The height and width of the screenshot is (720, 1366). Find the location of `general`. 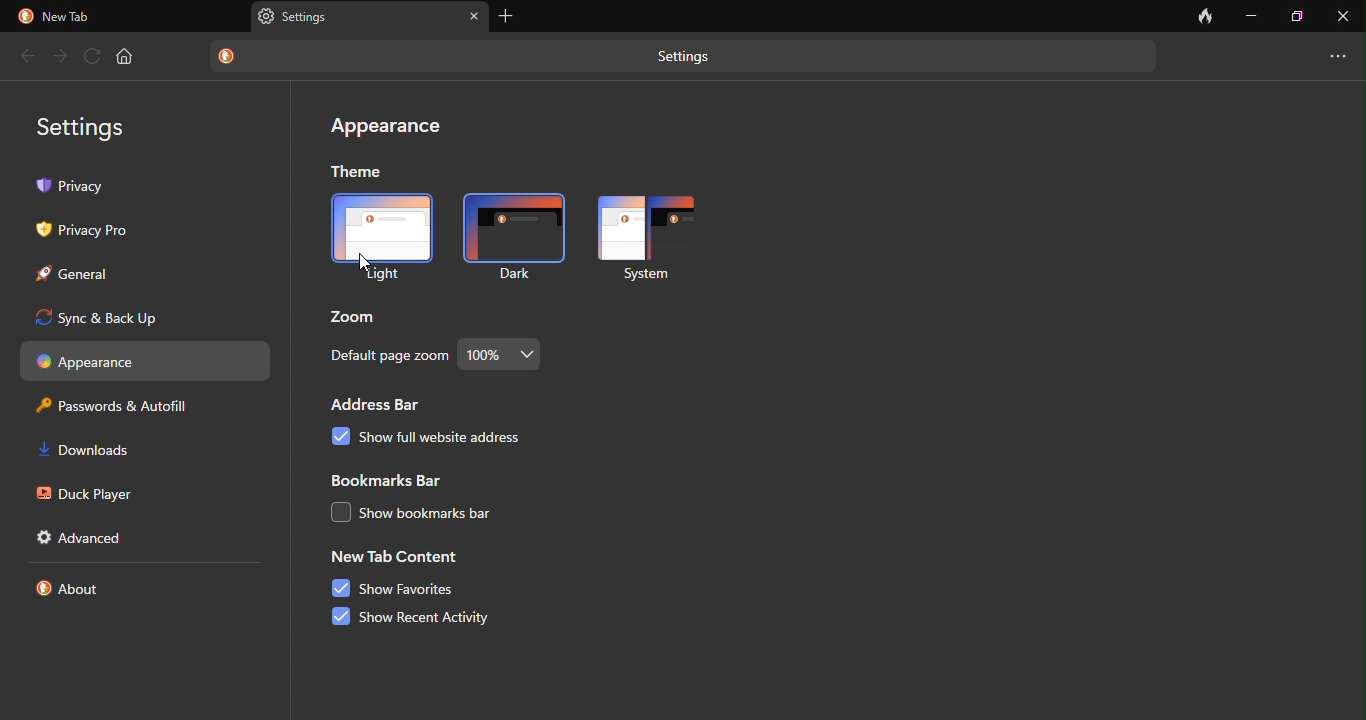

general is located at coordinates (85, 277).